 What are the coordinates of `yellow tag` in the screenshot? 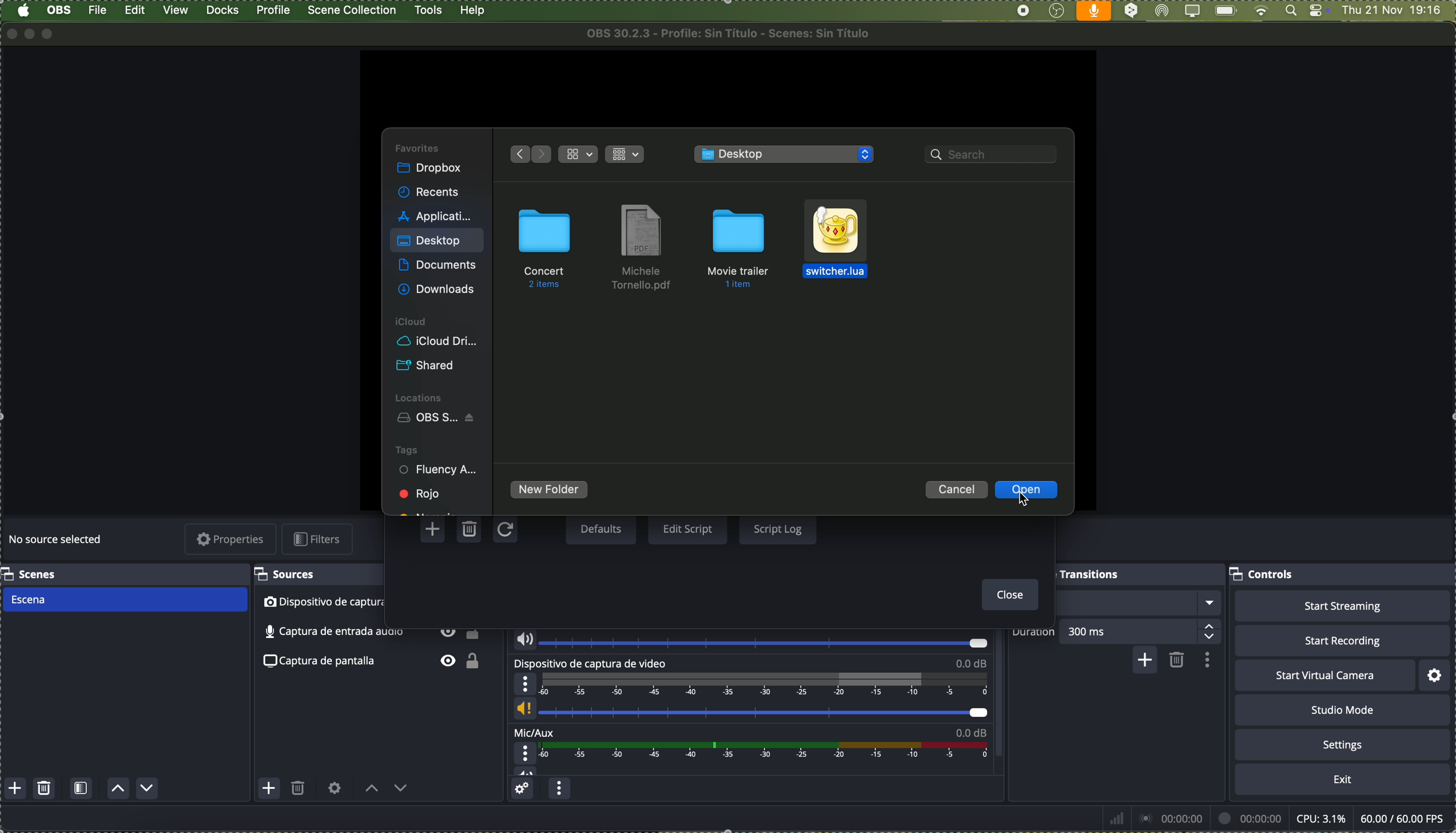 It's located at (428, 510).